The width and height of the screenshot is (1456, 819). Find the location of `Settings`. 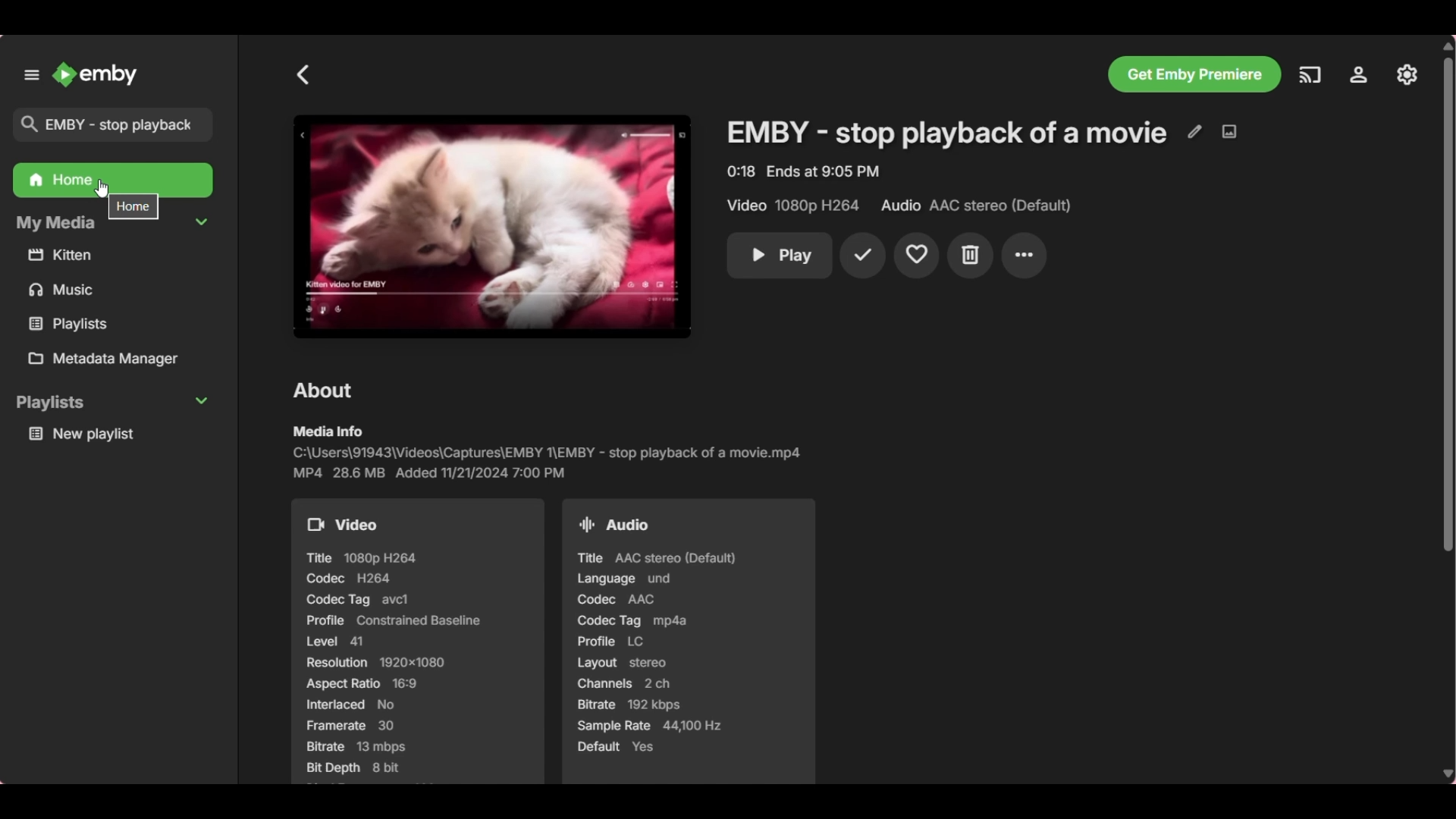

Settings is located at coordinates (1405, 73).